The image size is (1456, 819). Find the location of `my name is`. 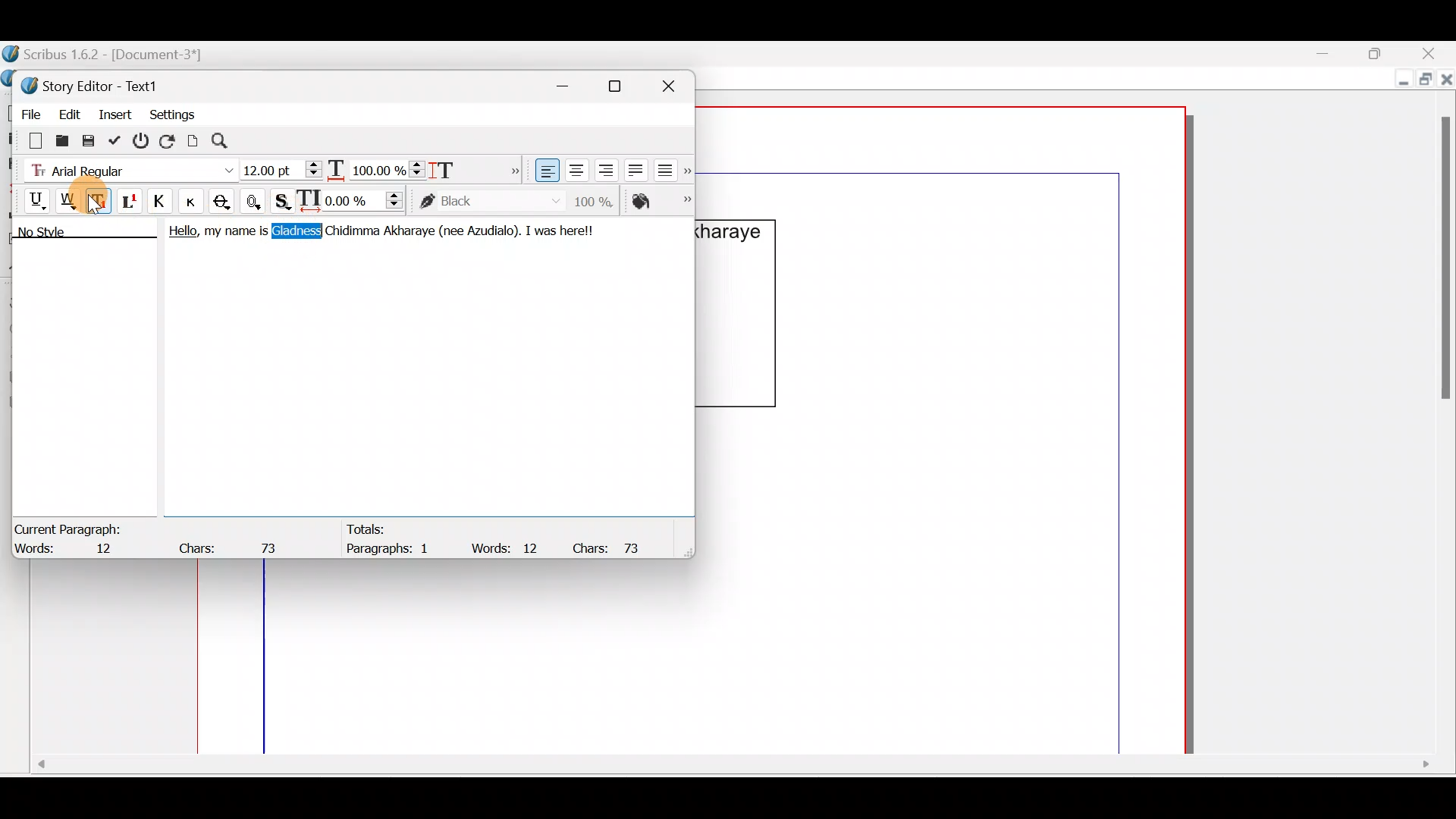

my name is is located at coordinates (235, 234).